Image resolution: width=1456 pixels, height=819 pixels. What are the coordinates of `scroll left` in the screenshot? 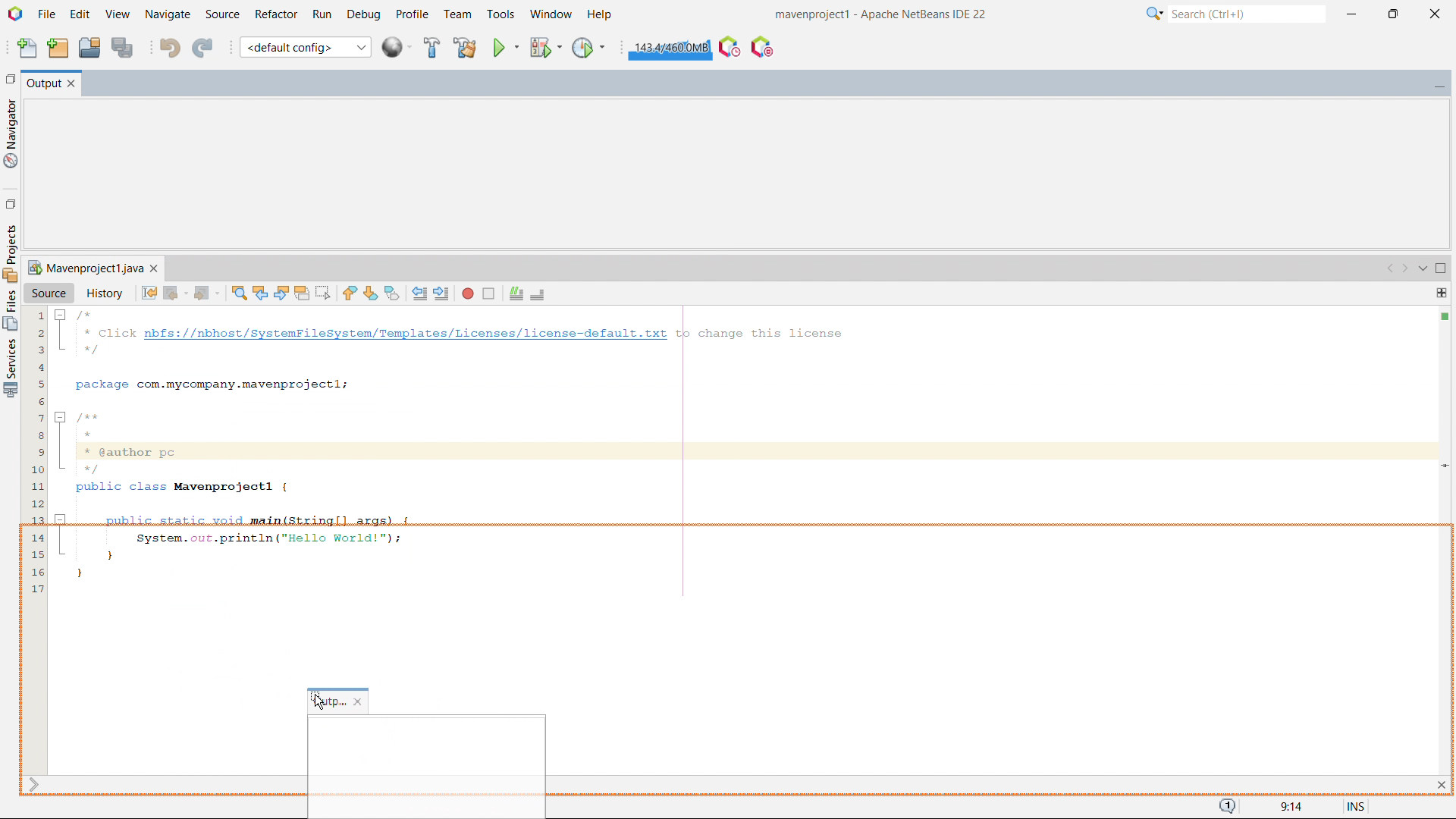 It's located at (1391, 269).